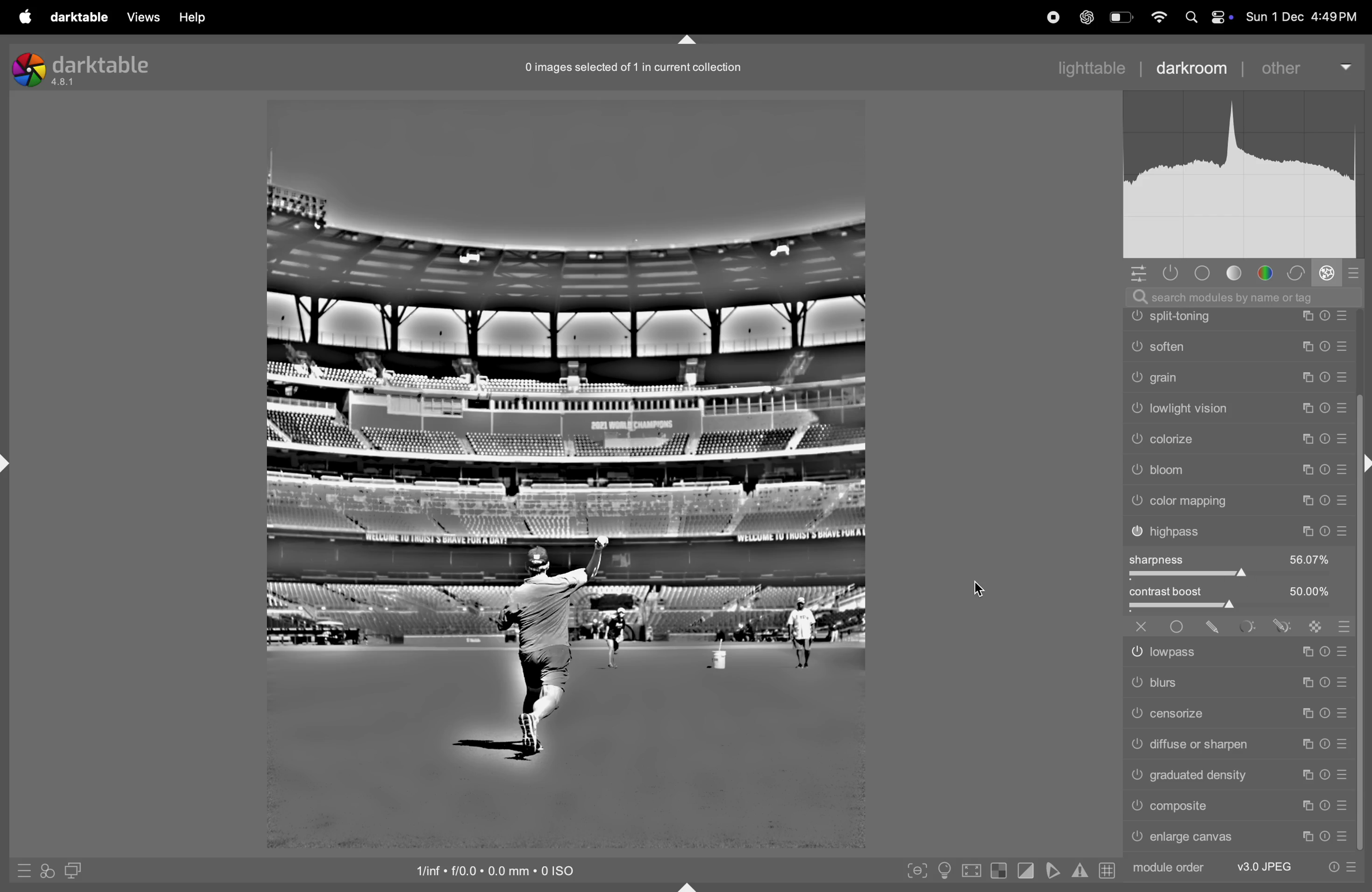  I want to click on other, so click(1301, 69).